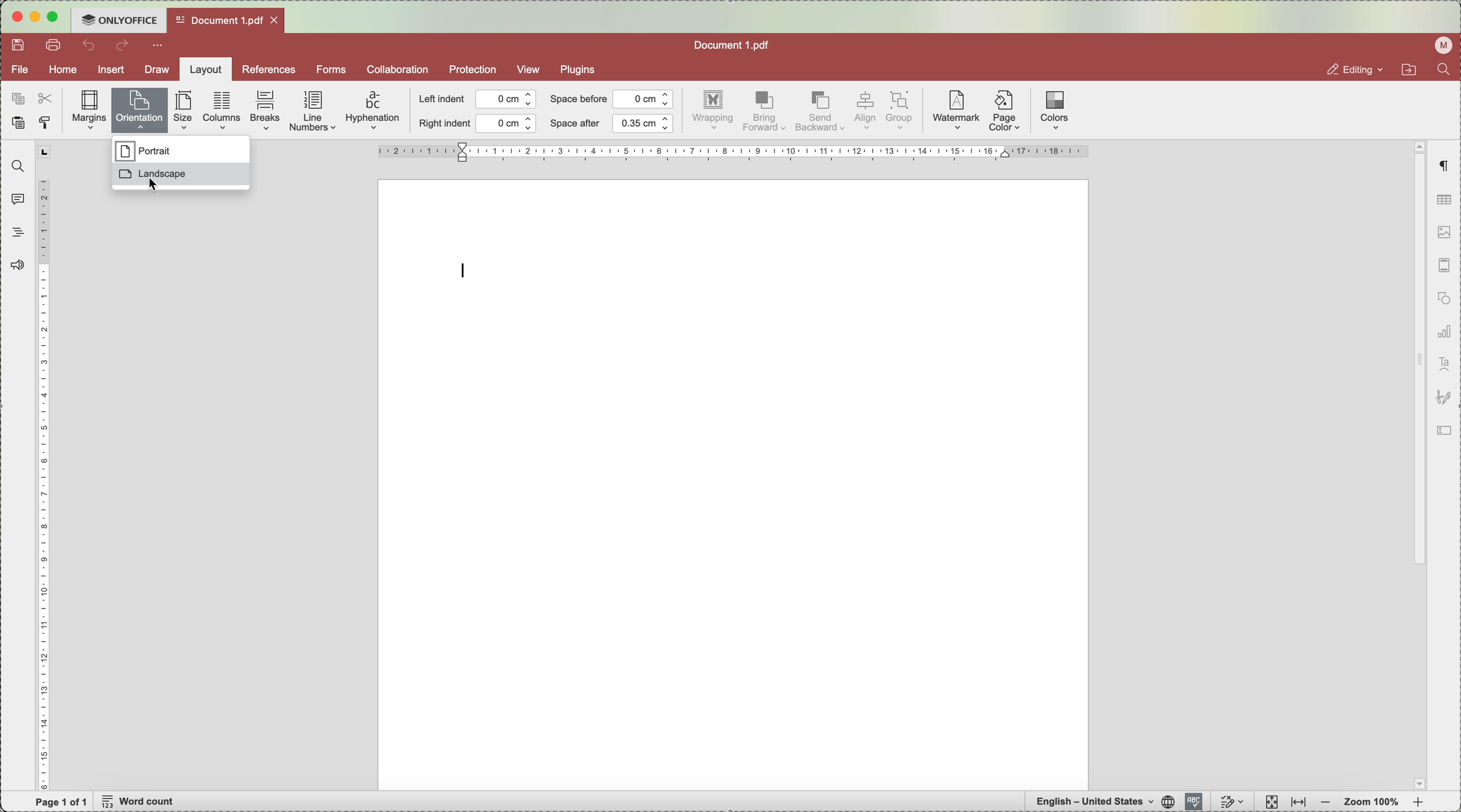 The image size is (1461, 812). I want to click on ruler, so click(45, 466).